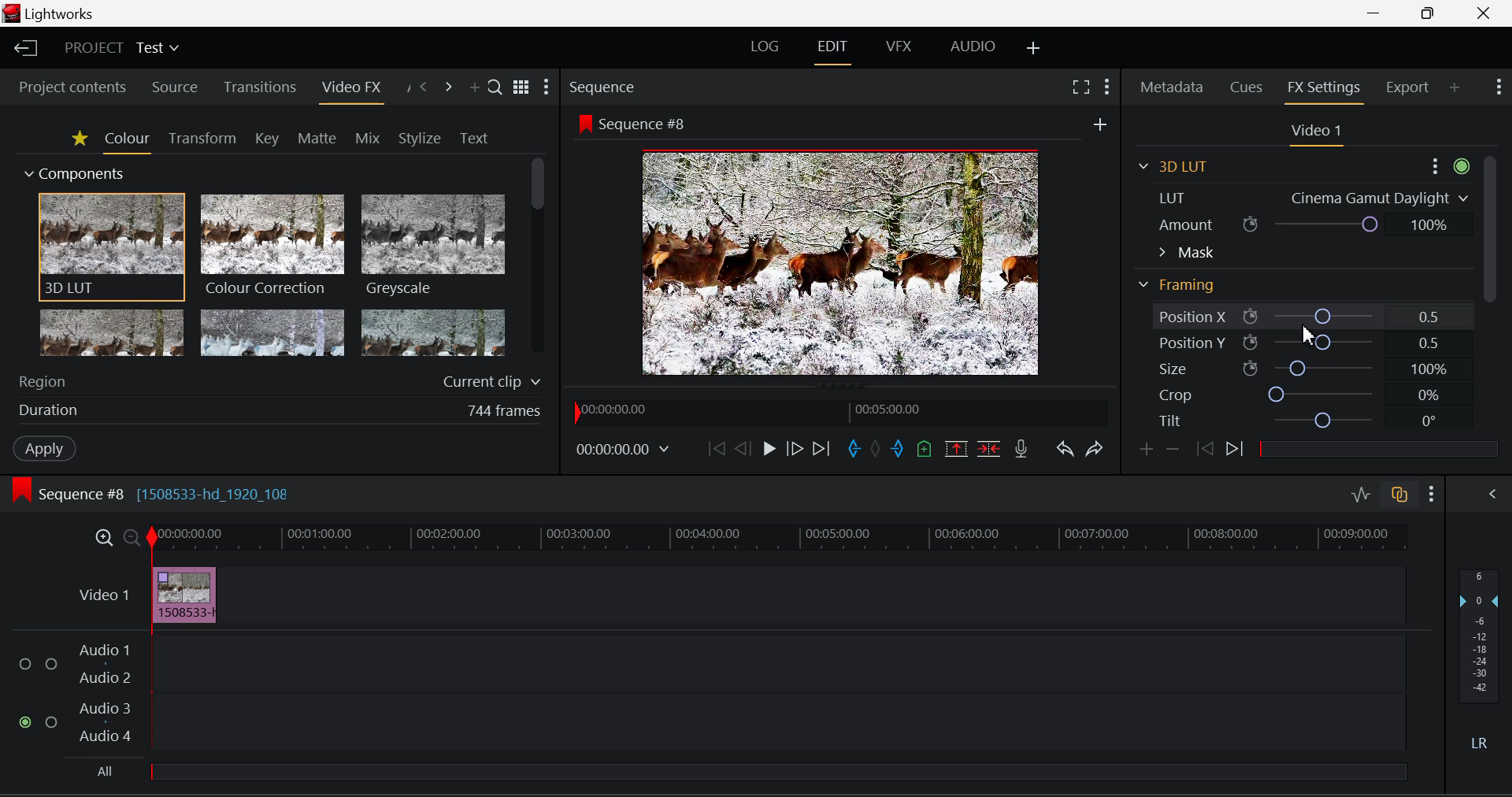 The width and height of the screenshot is (1512, 797). Describe the element at coordinates (22, 48) in the screenshot. I see `Back to Homepage` at that location.